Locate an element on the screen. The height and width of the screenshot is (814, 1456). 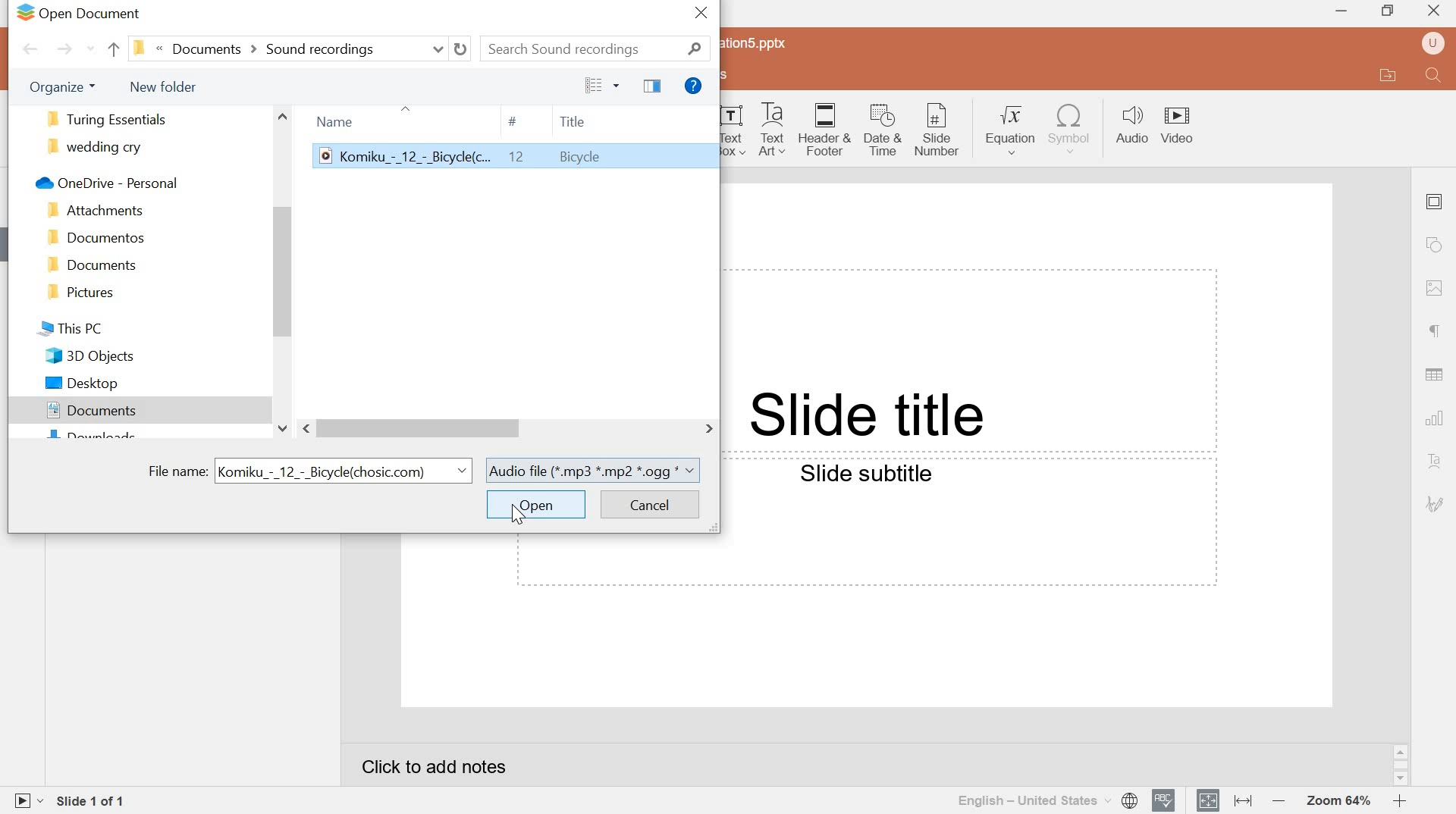
text art settings is located at coordinates (1432, 462).